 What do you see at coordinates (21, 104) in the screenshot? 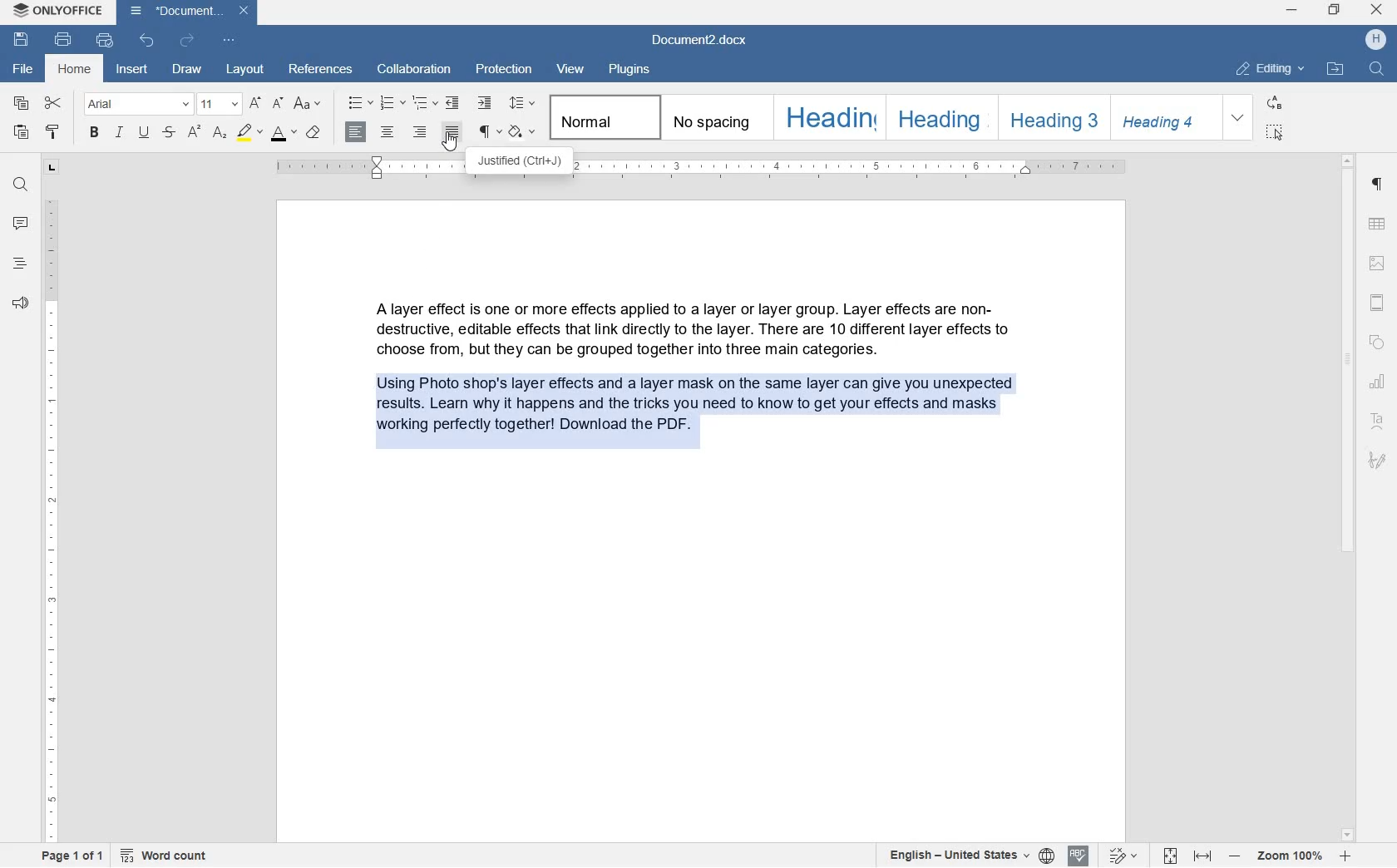
I see `COPY` at bounding box center [21, 104].